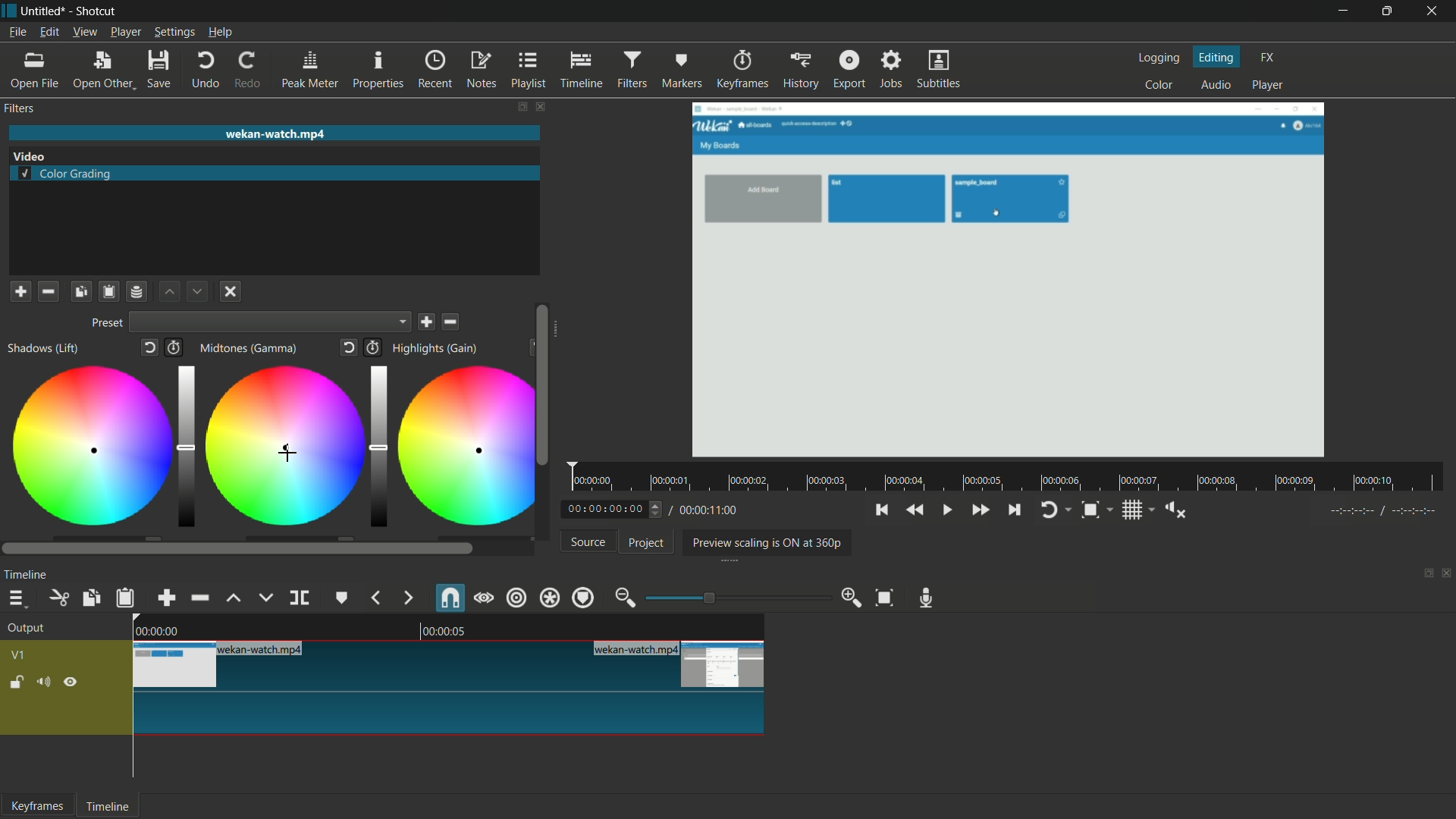  Describe the element at coordinates (231, 290) in the screenshot. I see `deselect a filter` at that location.